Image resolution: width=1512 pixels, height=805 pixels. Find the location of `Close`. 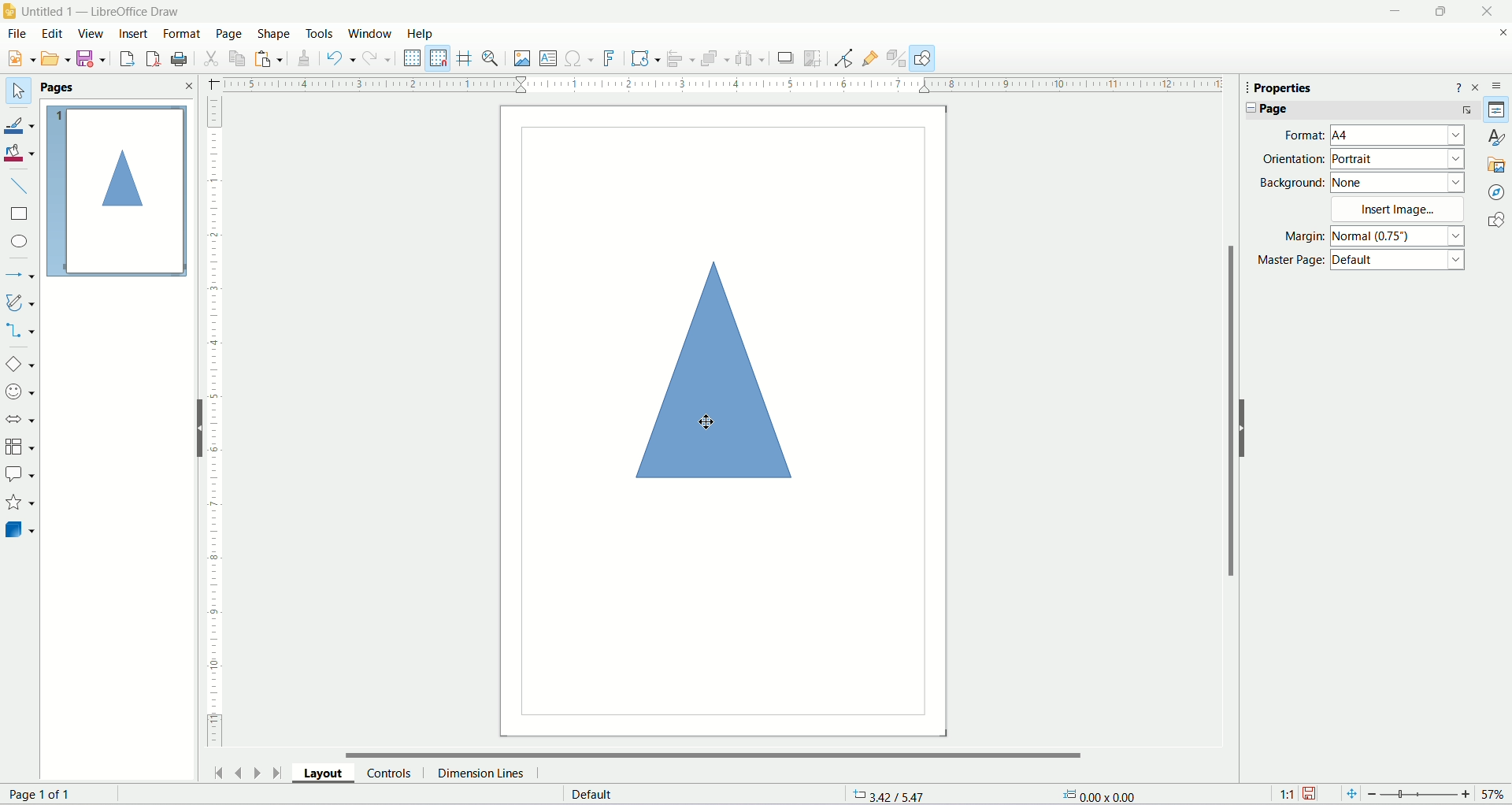

Close is located at coordinates (185, 85).